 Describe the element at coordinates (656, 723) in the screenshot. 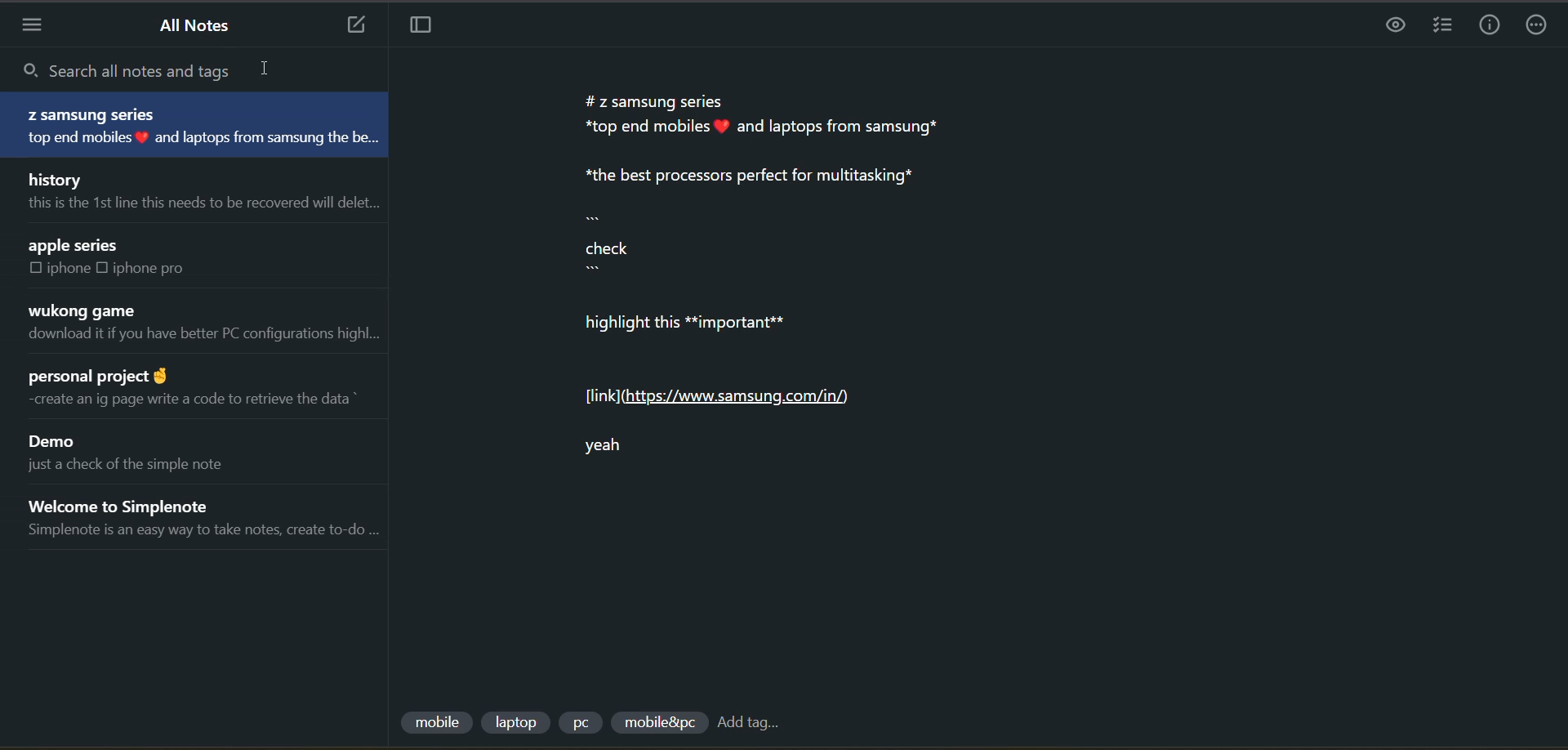

I see `mobile&pc` at that location.